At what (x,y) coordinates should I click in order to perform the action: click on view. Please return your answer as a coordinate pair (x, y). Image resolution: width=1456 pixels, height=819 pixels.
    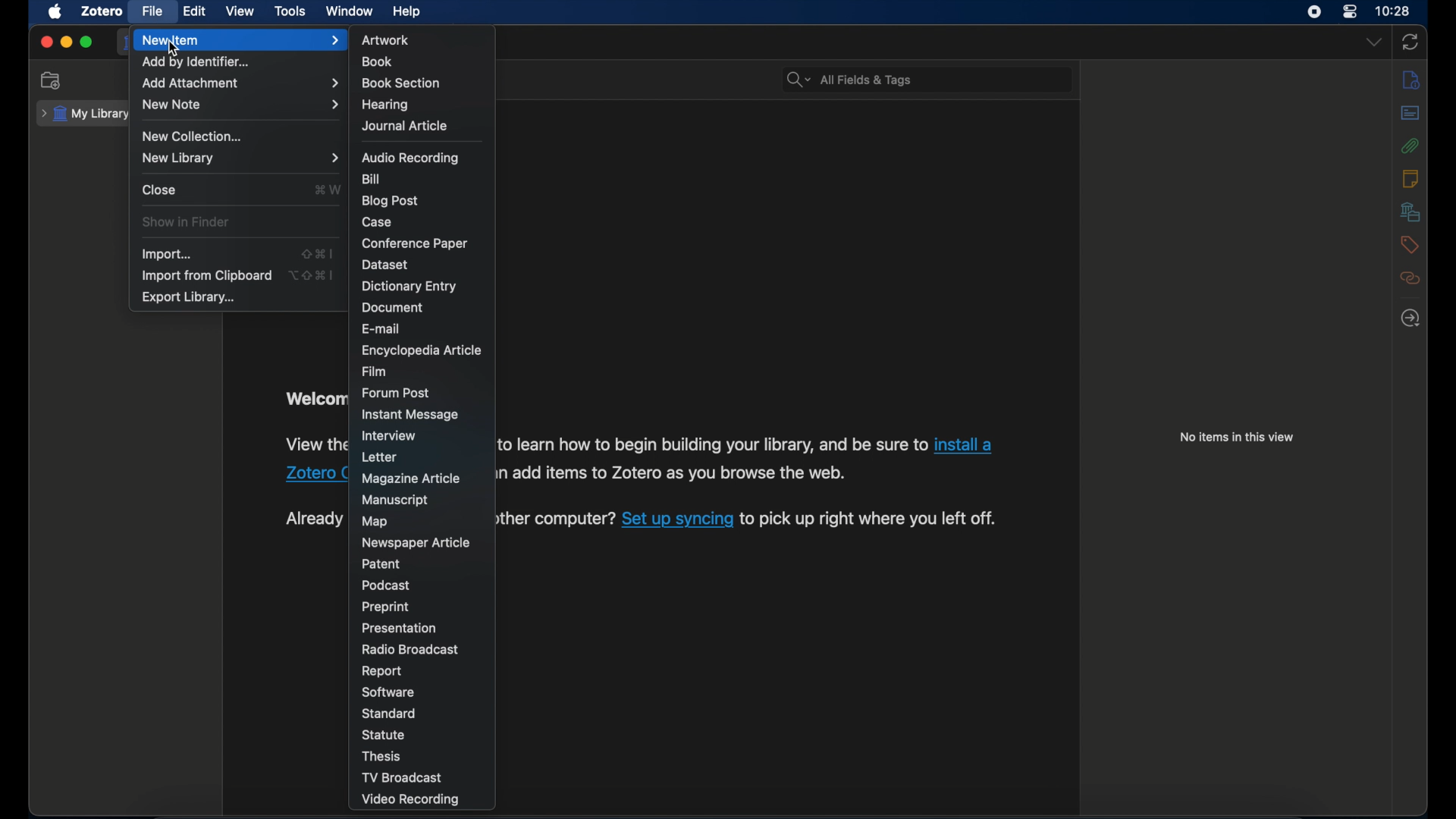
    Looking at the image, I should click on (241, 11).